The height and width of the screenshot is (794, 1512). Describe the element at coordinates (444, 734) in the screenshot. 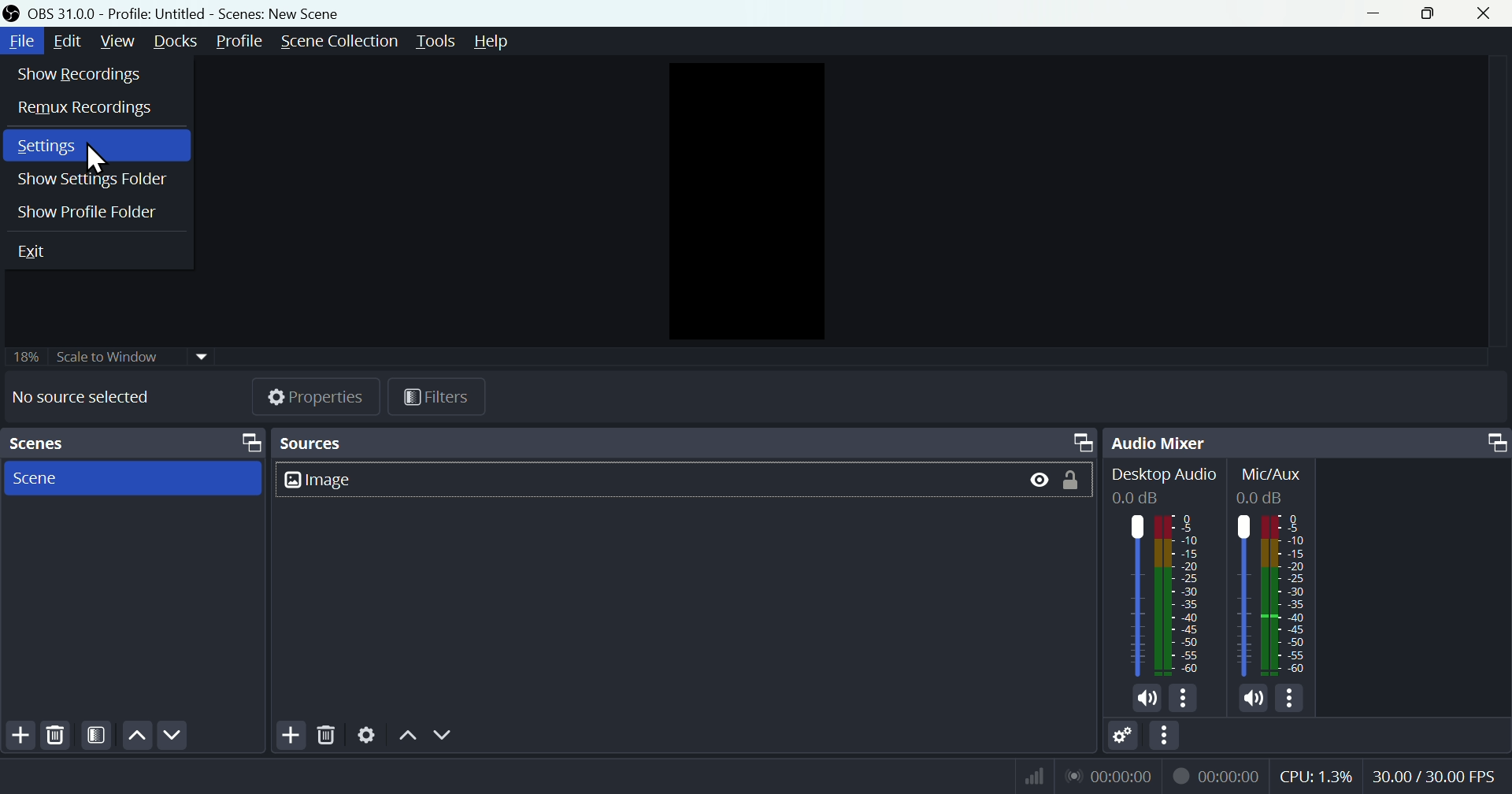

I see `Down` at that location.